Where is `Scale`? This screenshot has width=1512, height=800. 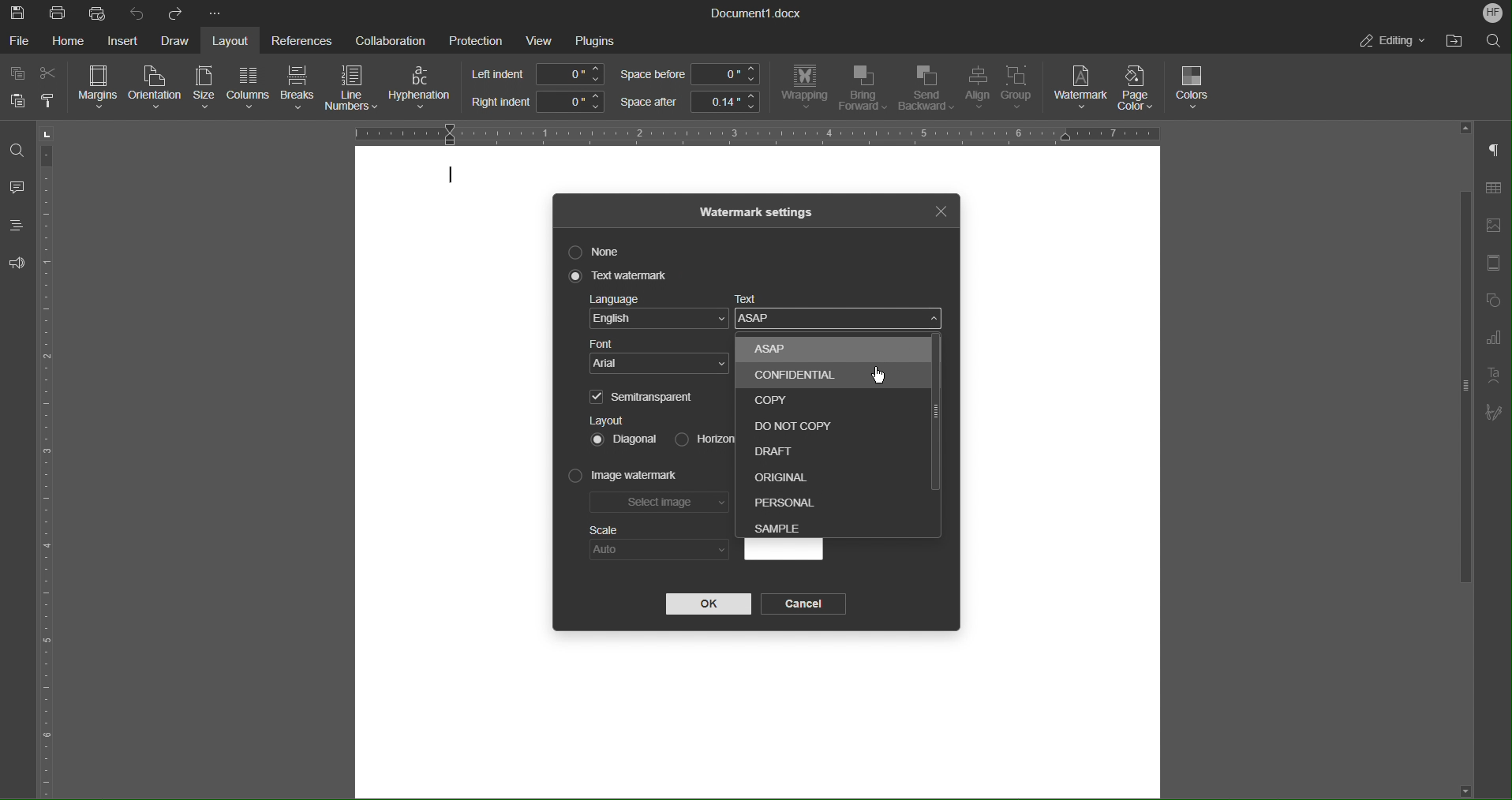 Scale is located at coordinates (604, 530).